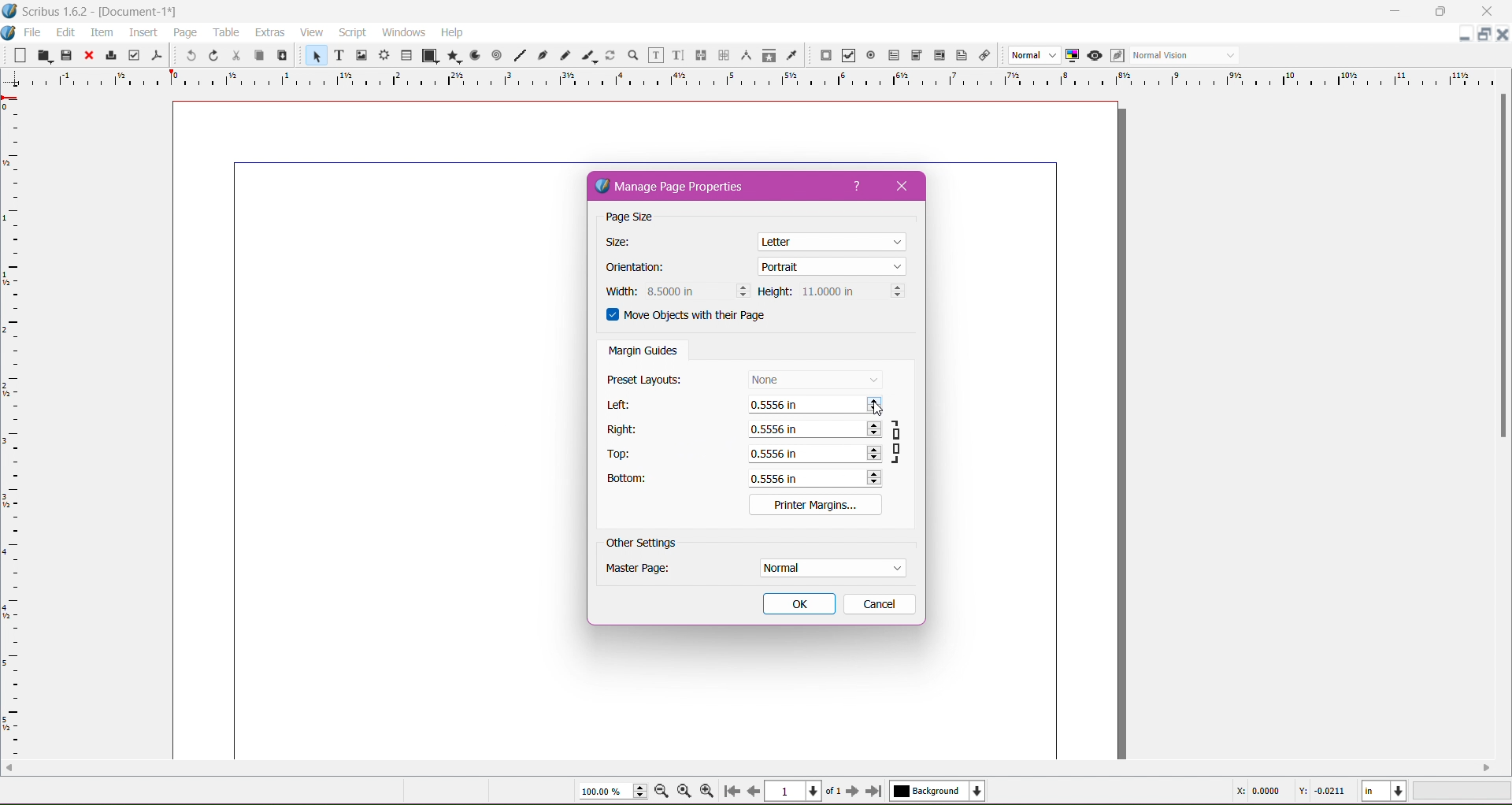 The image size is (1512, 805). I want to click on Minimize, so click(1395, 10).